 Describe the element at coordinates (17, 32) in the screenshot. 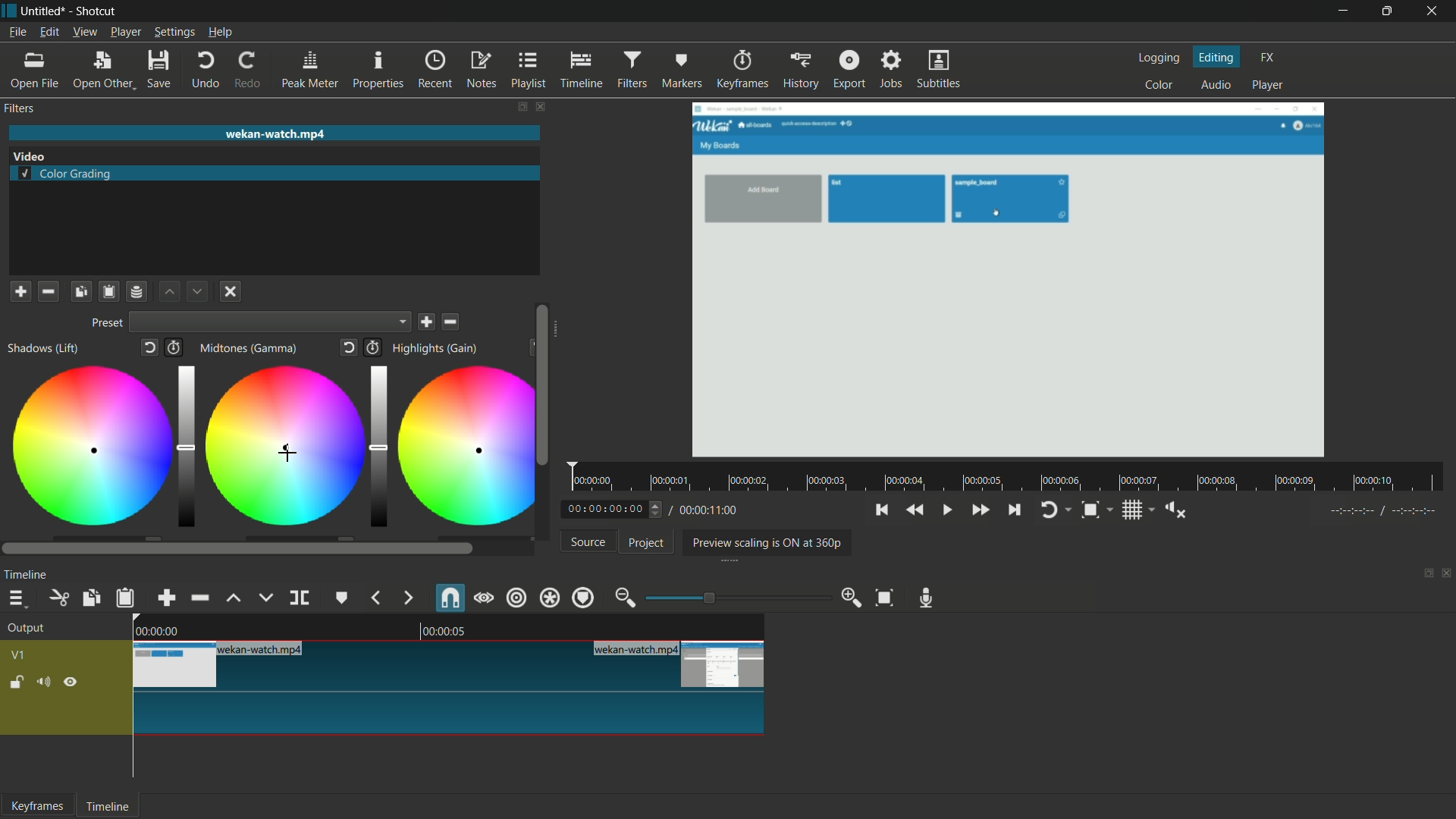

I see `file menu` at that location.